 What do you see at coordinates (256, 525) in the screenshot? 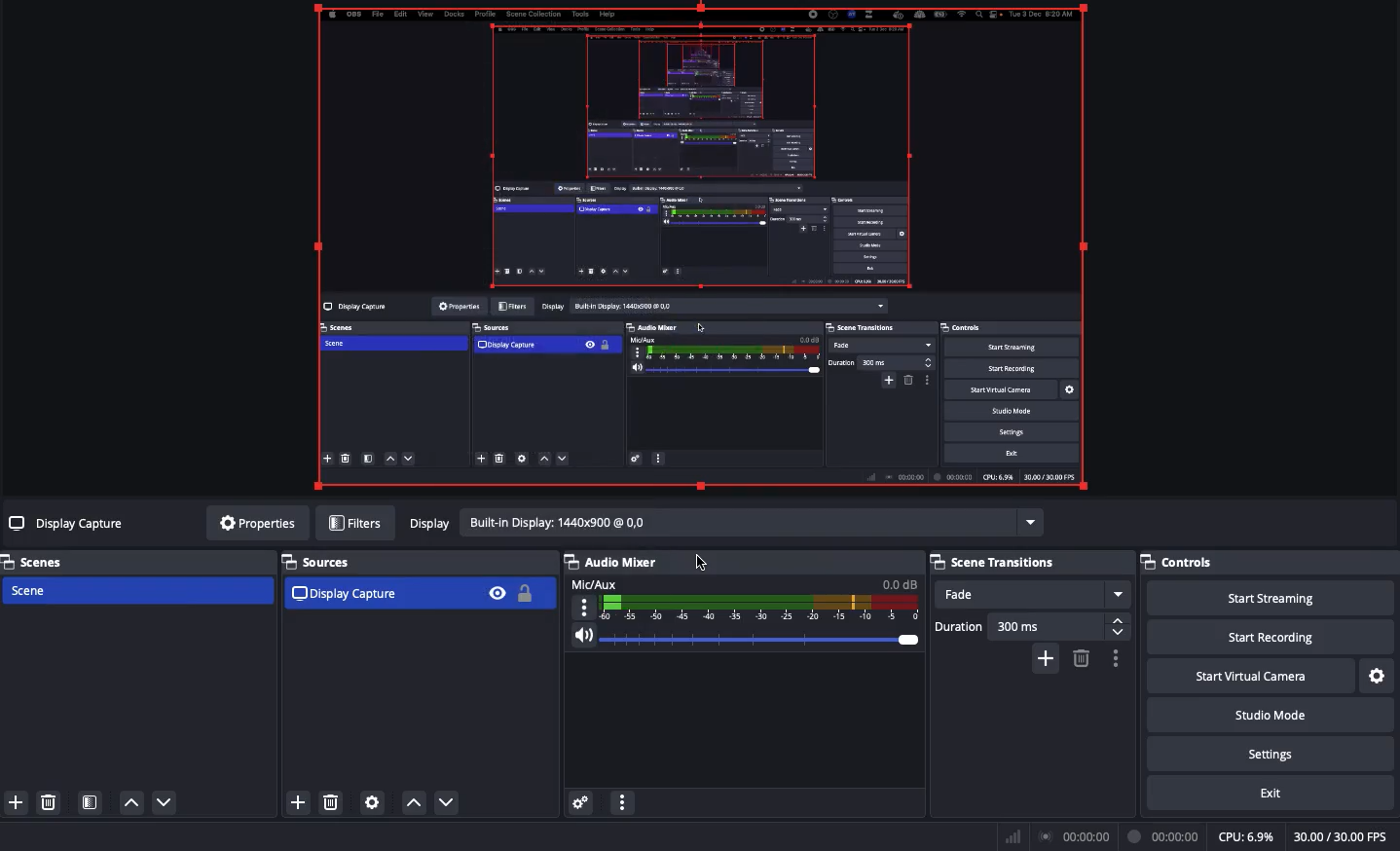
I see `Properties` at bounding box center [256, 525].